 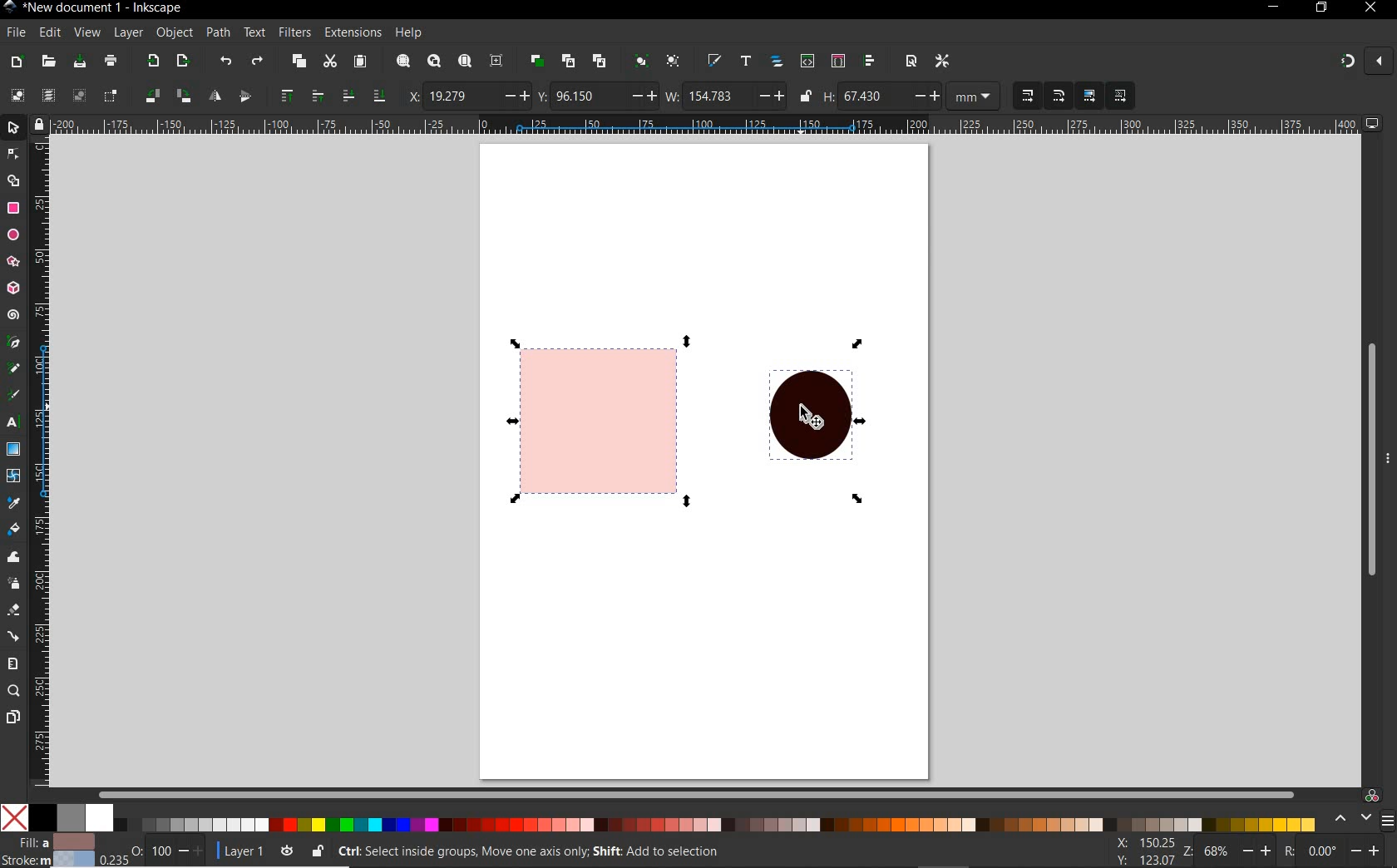 I want to click on scrollbar, so click(x=695, y=792).